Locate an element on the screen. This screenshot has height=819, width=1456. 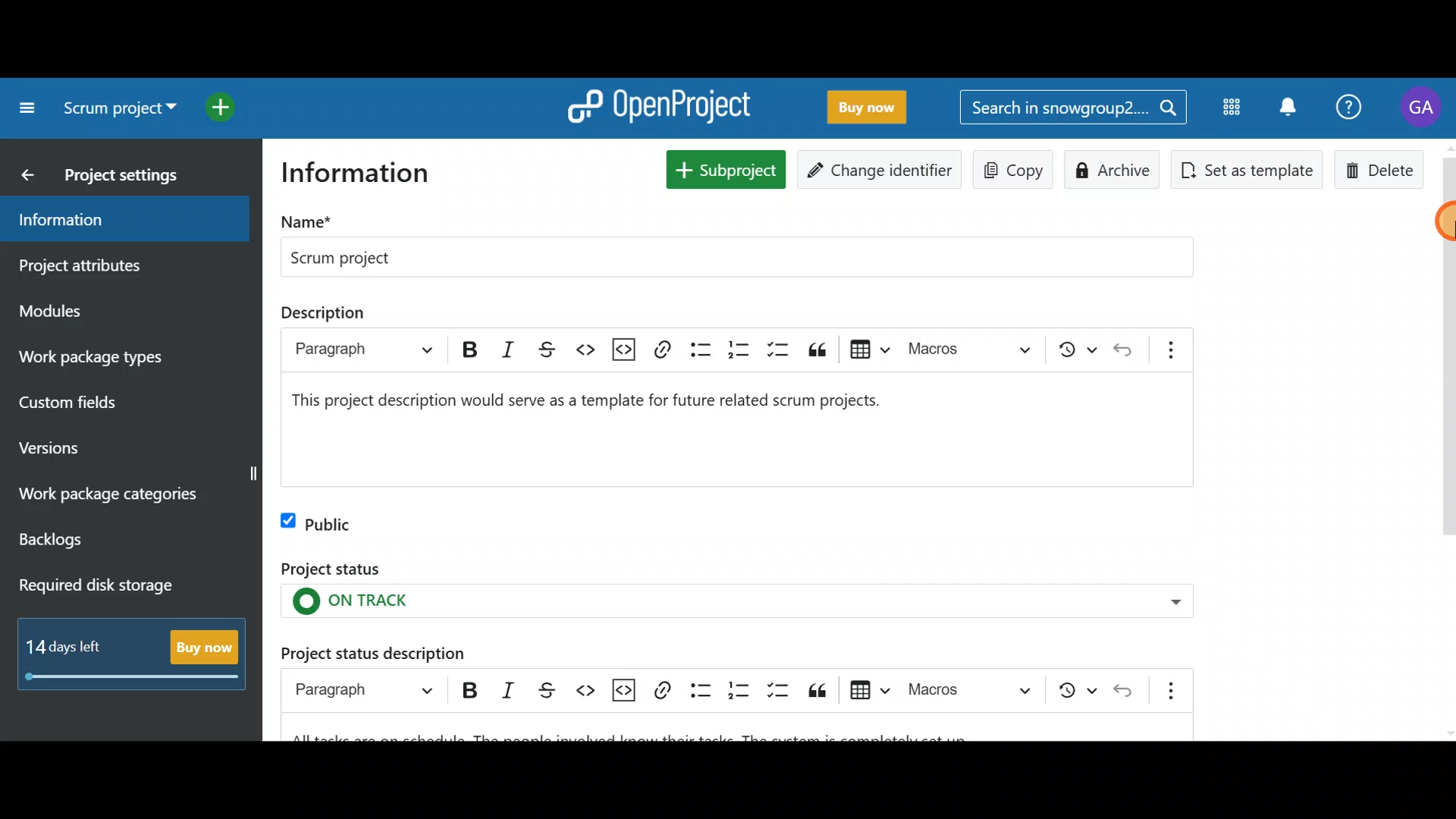
Show more items is located at coordinates (1166, 690).